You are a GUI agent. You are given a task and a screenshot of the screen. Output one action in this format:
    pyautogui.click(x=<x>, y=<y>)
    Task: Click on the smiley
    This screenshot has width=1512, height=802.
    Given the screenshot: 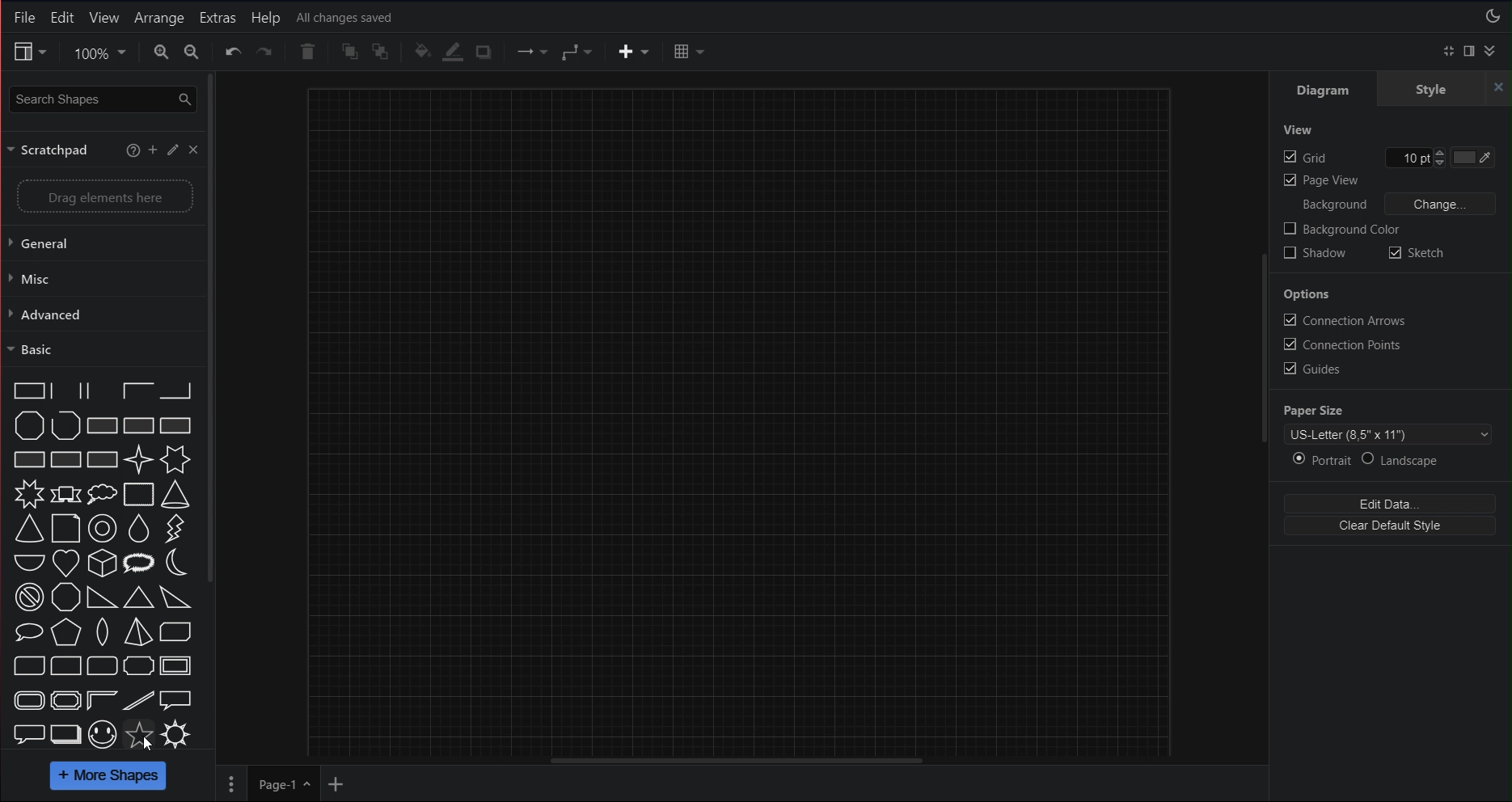 What is the action you would take?
    pyautogui.click(x=101, y=735)
    